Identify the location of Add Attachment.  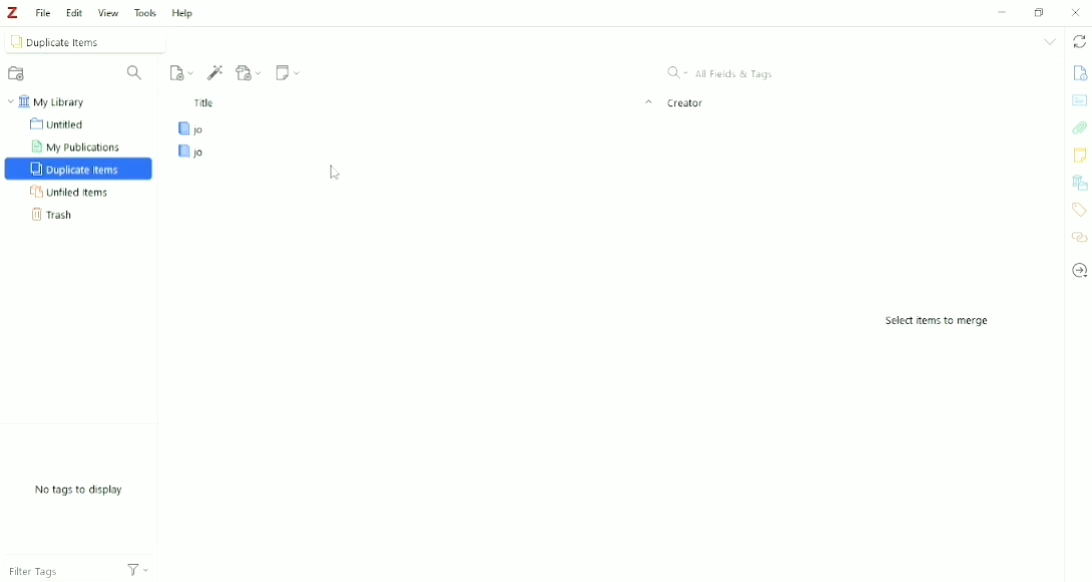
(250, 73).